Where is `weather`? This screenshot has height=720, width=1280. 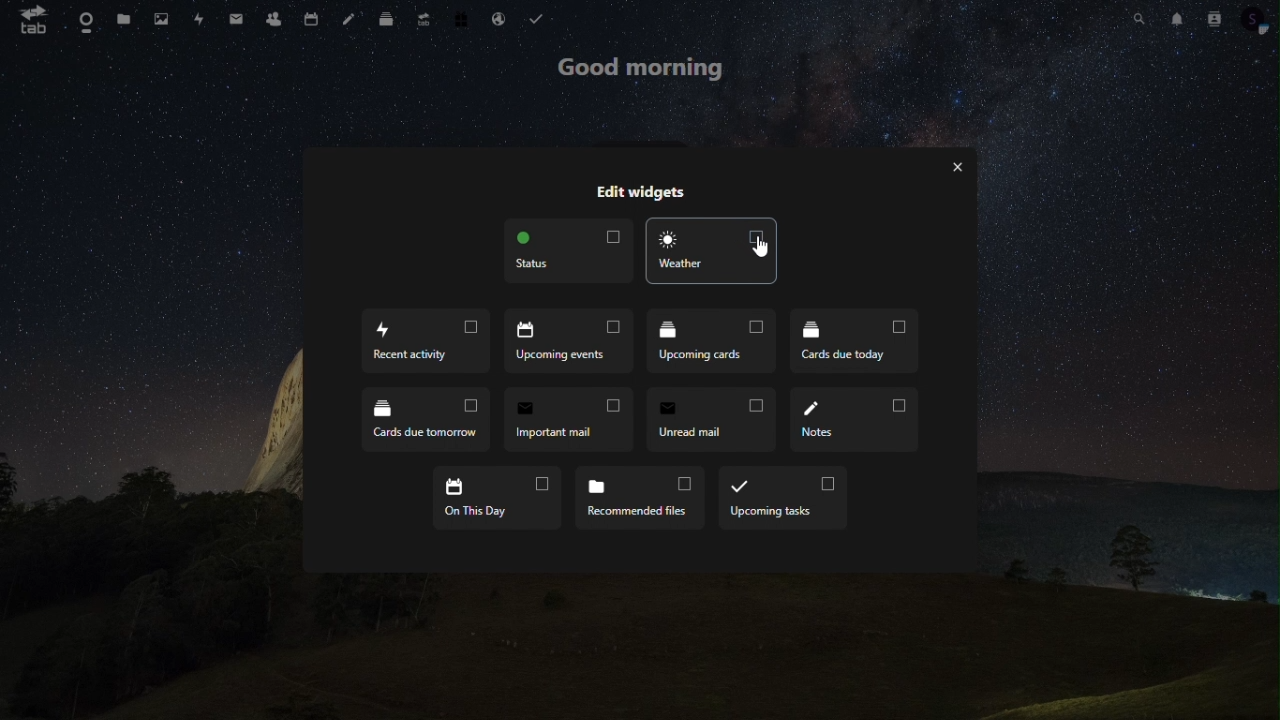 weather is located at coordinates (716, 255).